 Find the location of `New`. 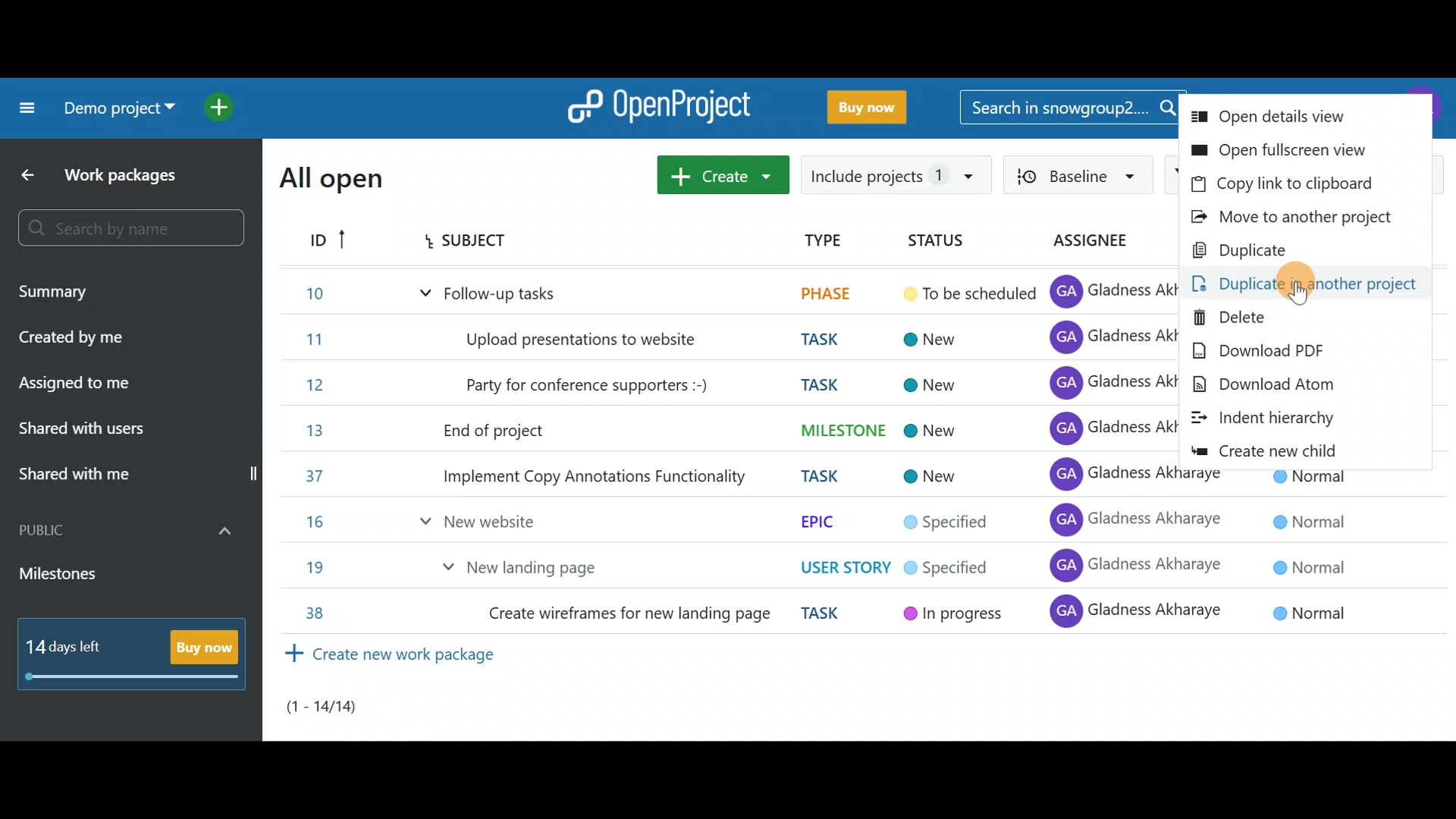

New is located at coordinates (932, 430).